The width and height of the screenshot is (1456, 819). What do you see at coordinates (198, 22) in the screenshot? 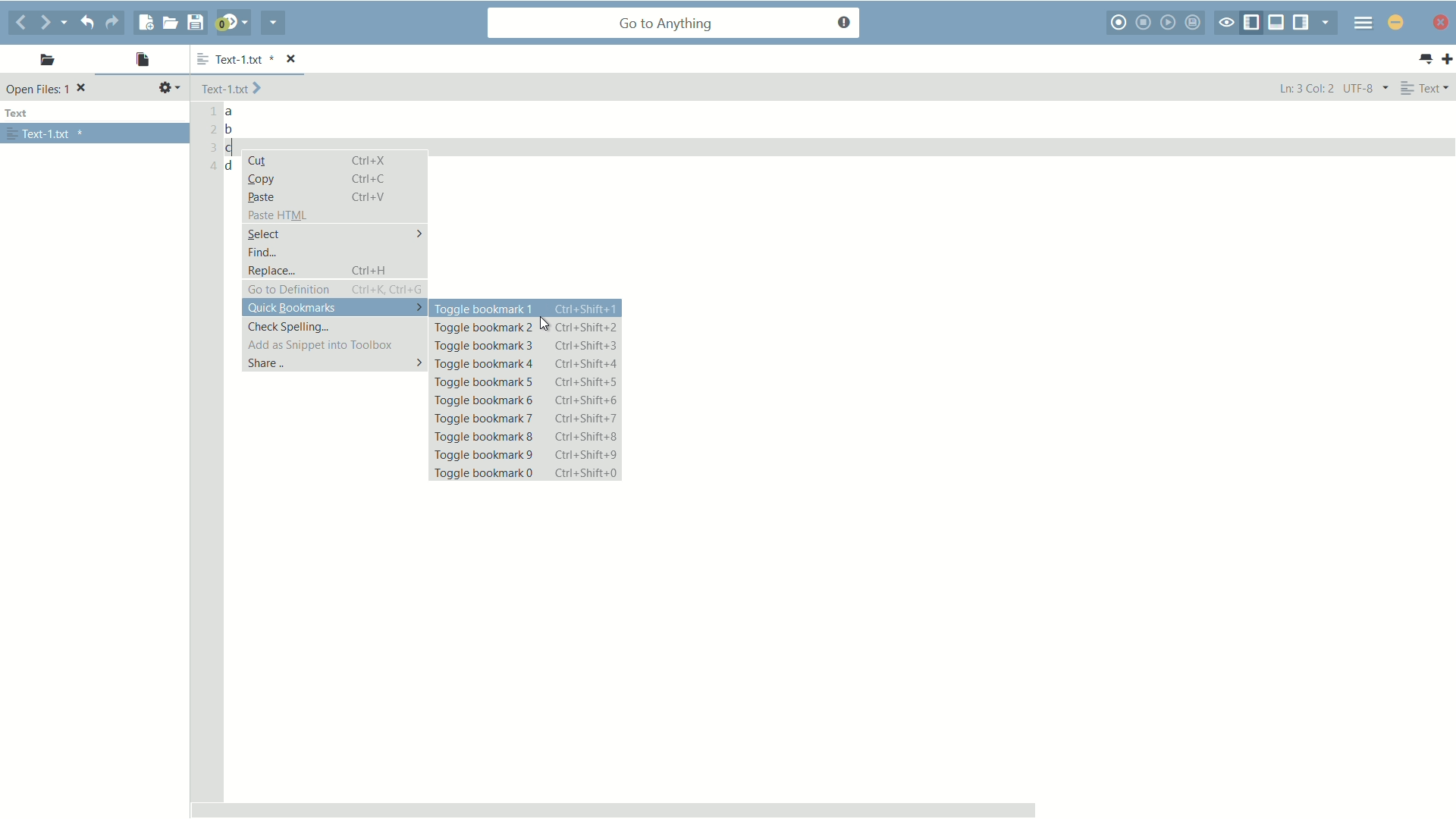
I see `save file` at bounding box center [198, 22].